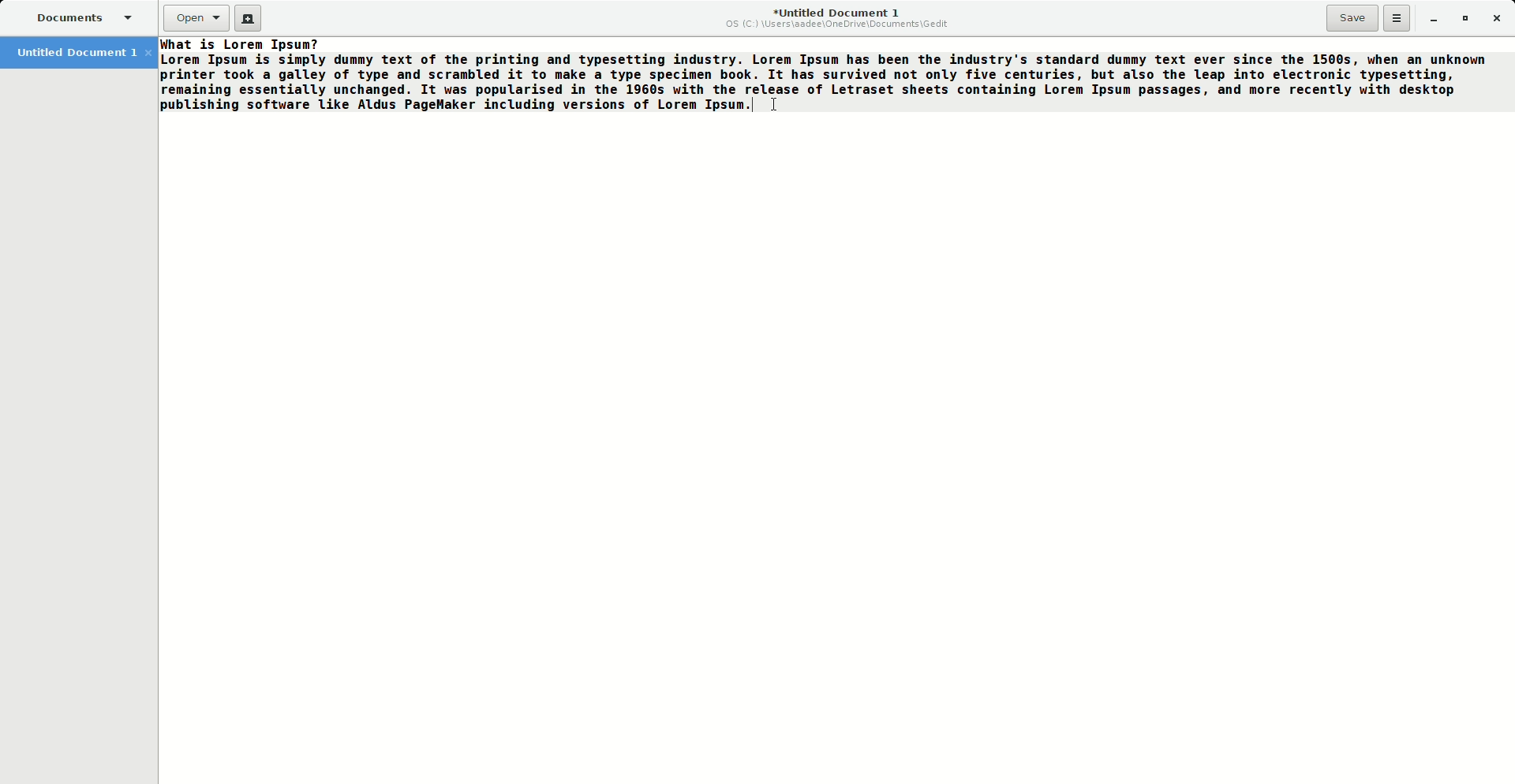 The image size is (1515, 784). What do you see at coordinates (777, 102) in the screenshot?
I see `Cursor` at bounding box center [777, 102].